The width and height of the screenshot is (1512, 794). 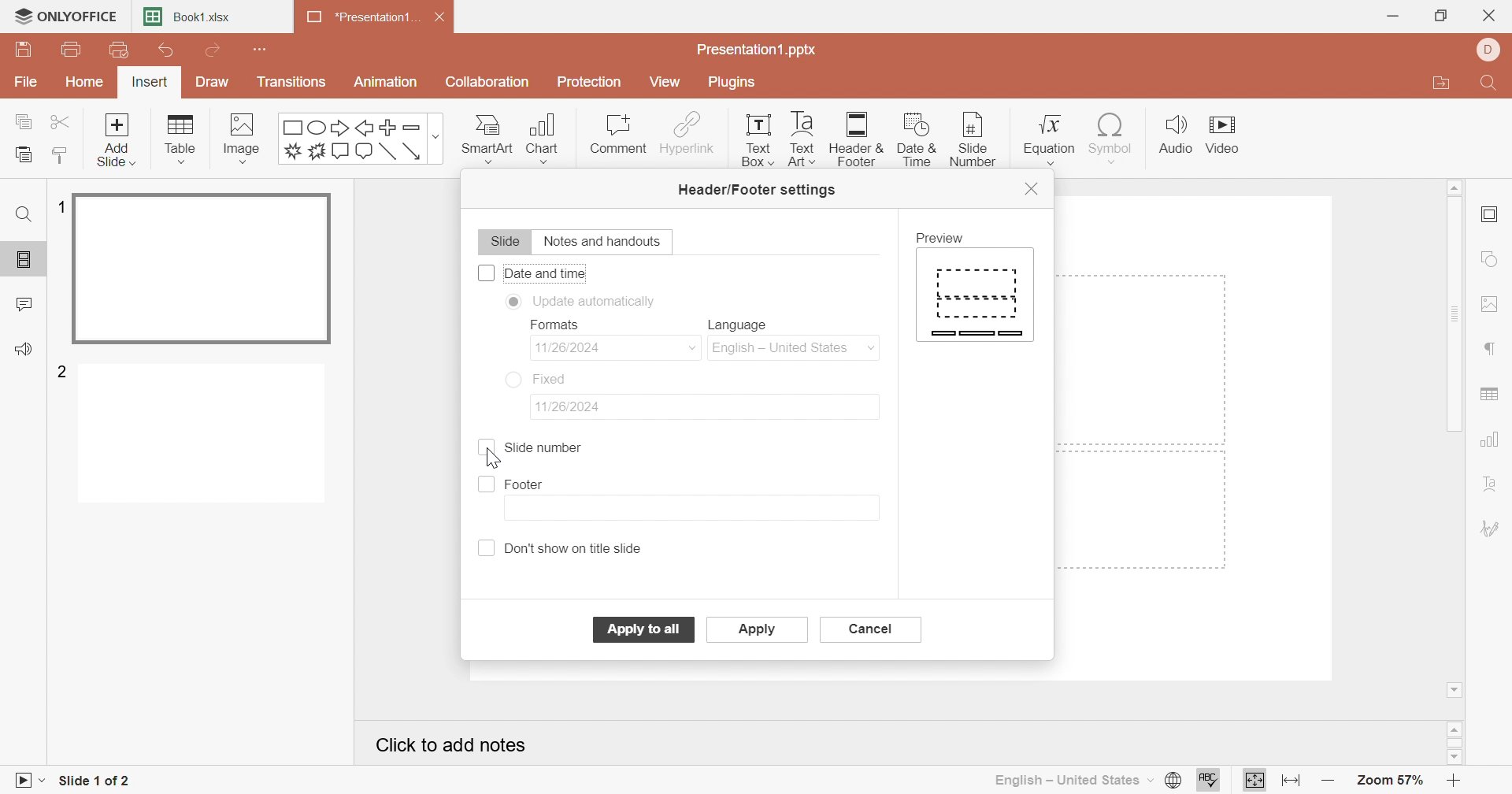 I want to click on Checkbox, so click(x=487, y=548).